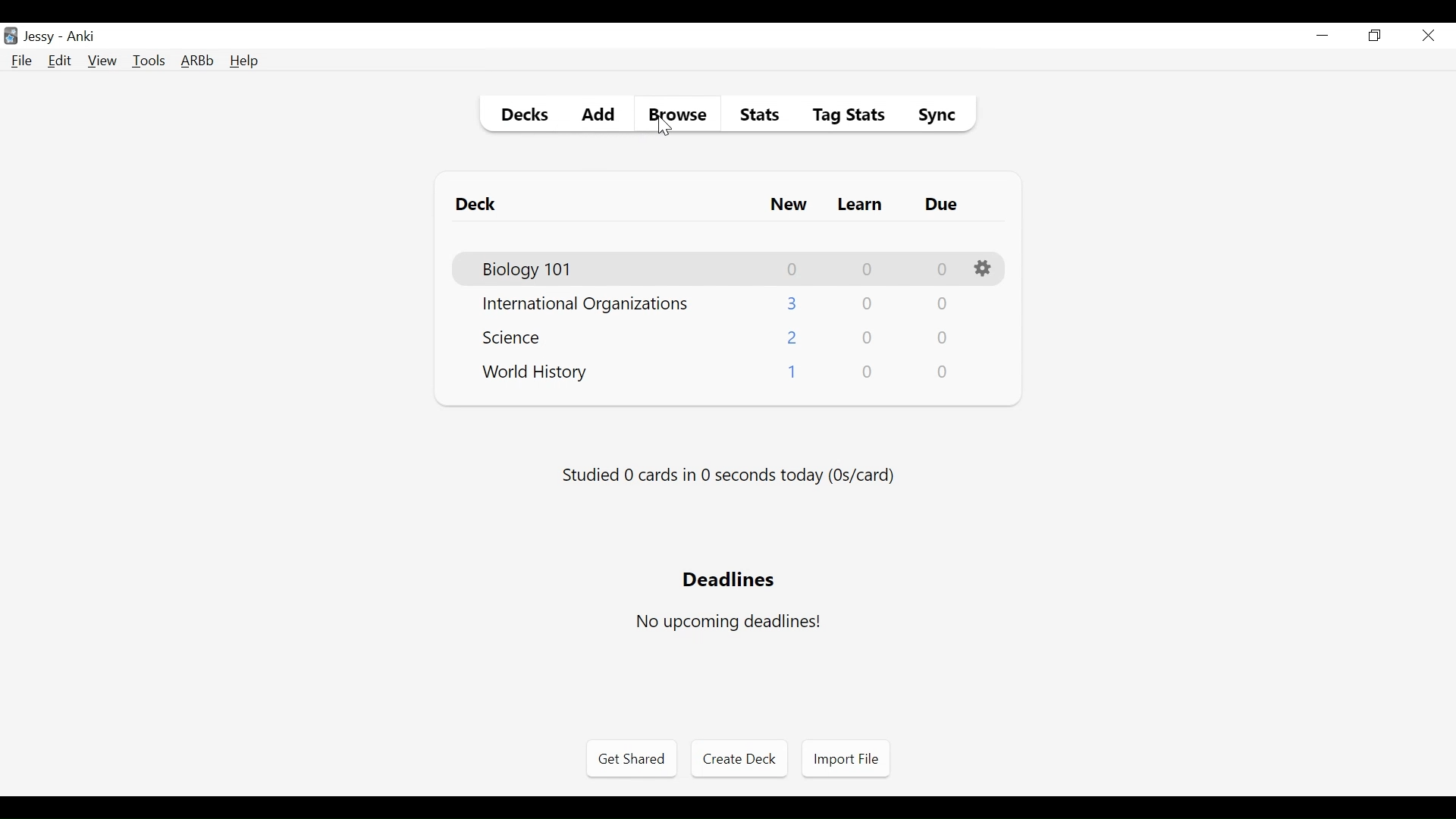 The width and height of the screenshot is (1456, 819). Describe the element at coordinates (599, 117) in the screenshot. I see `Add` at that location.